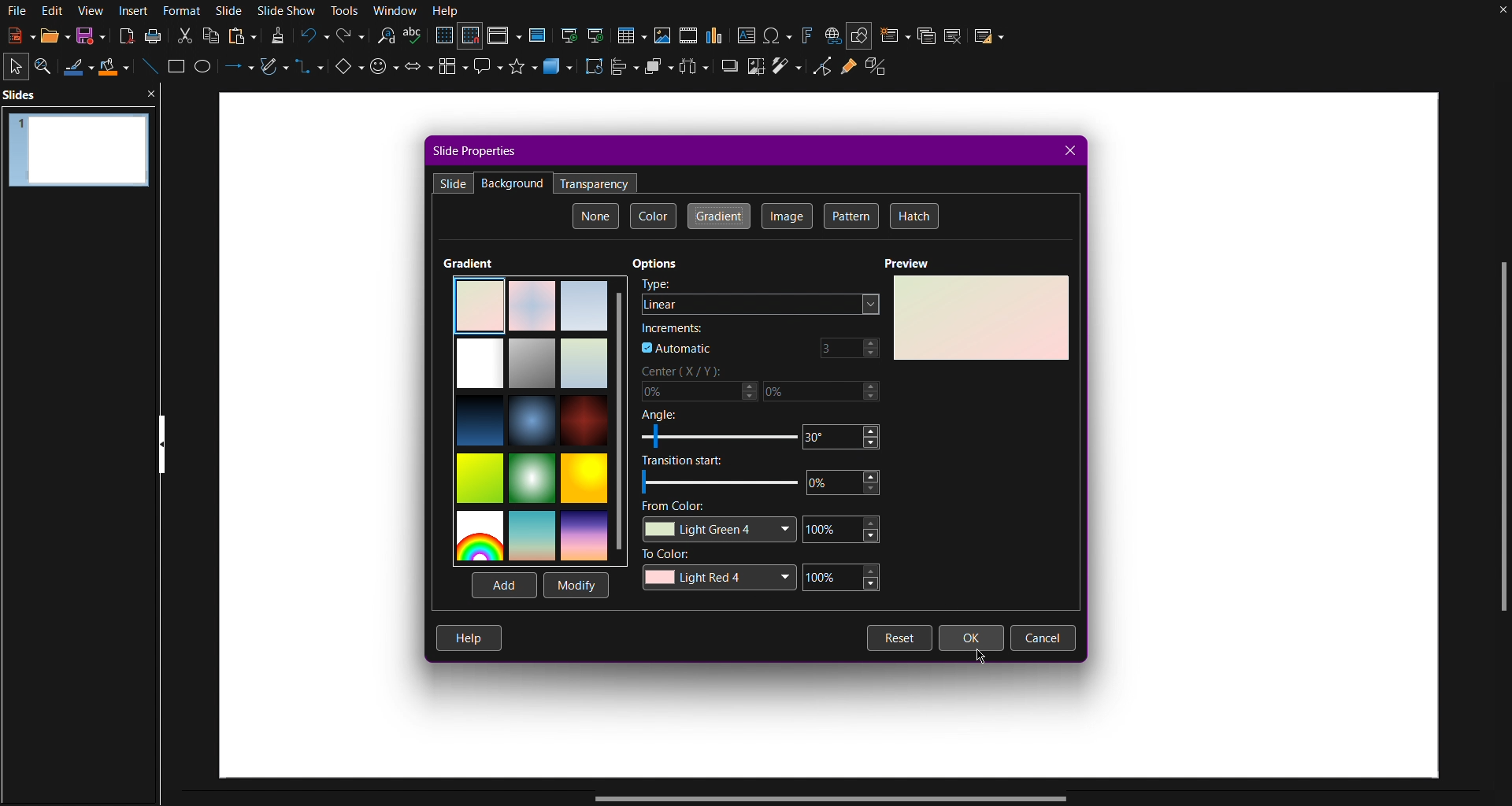 The height and width of the screenshot is (806, 1512). I want to click on Automatic, so click(676, 349).